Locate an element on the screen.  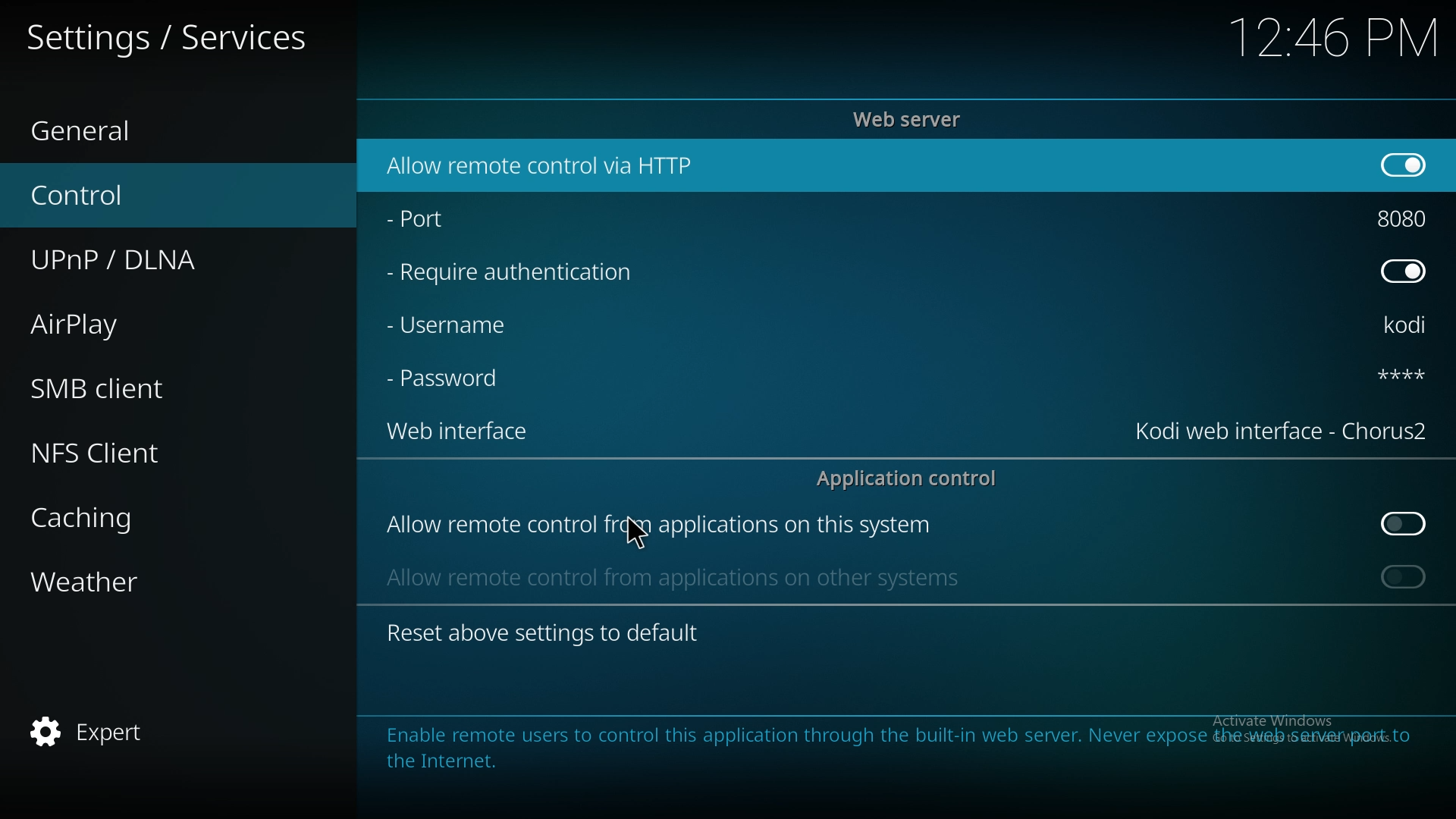
allow remote control from other system is located at coordinates (670, 576).